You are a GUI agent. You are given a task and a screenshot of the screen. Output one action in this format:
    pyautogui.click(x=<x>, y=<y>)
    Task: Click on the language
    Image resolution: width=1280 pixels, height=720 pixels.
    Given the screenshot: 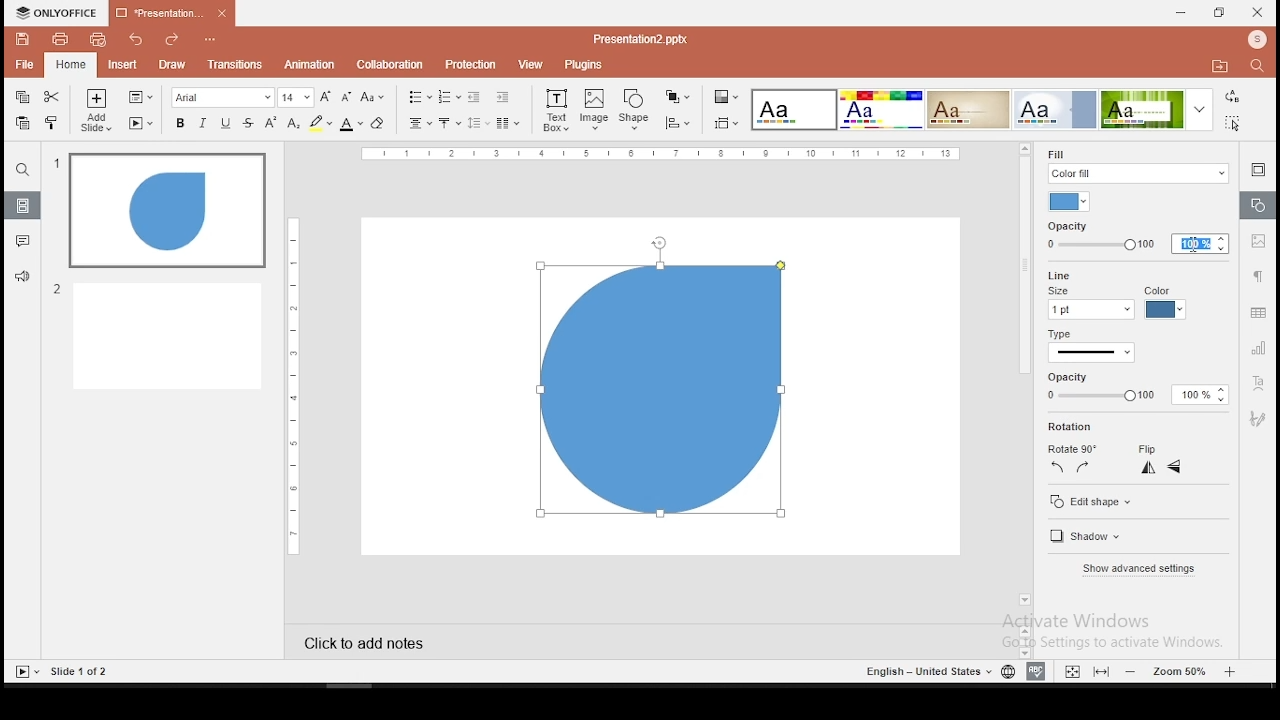 What is the action you would take?
    pyautogui.click(x=1008, y=672)
    